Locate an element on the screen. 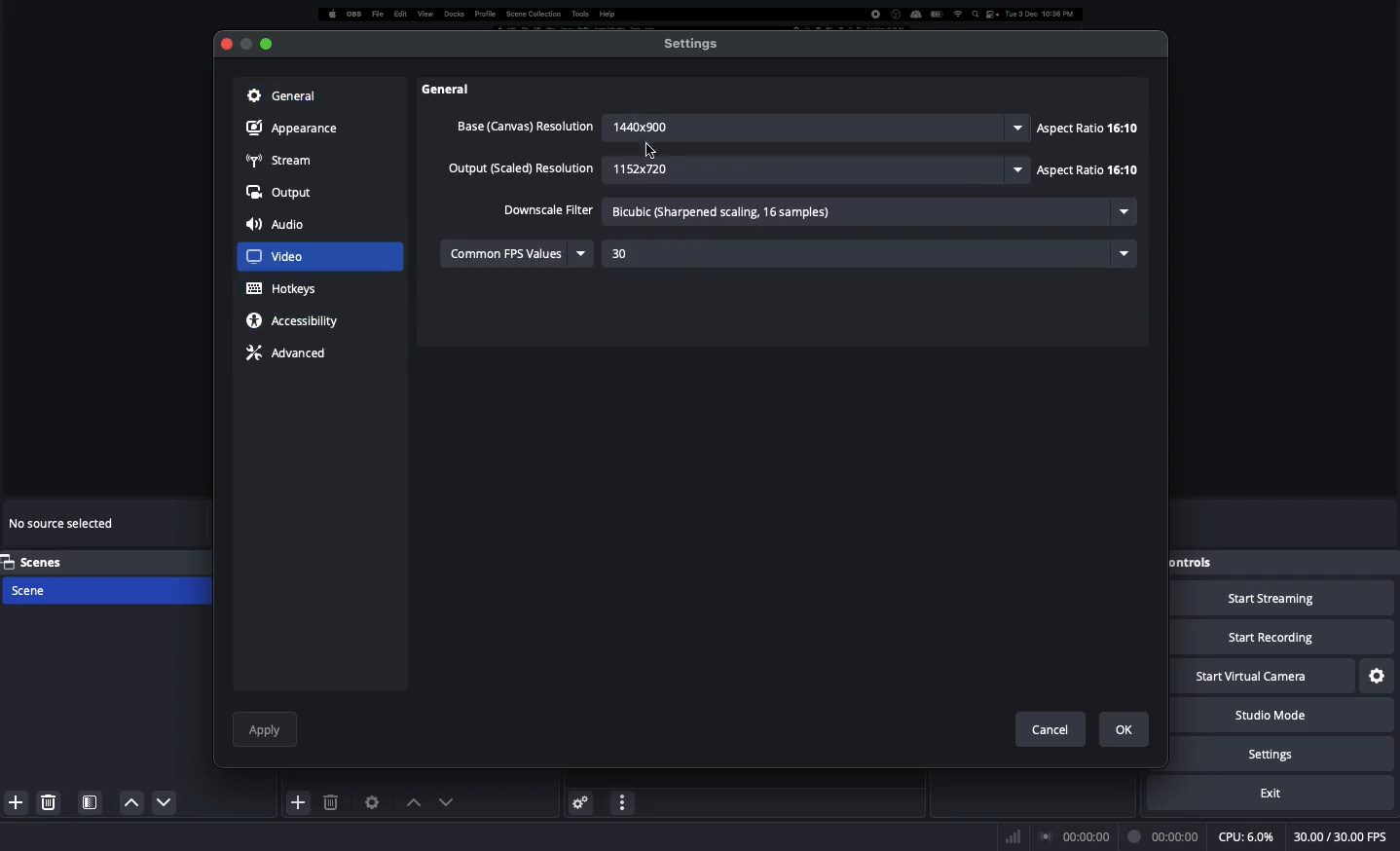 The image size is (1400, 851). General is located at coordinates (279, 94).